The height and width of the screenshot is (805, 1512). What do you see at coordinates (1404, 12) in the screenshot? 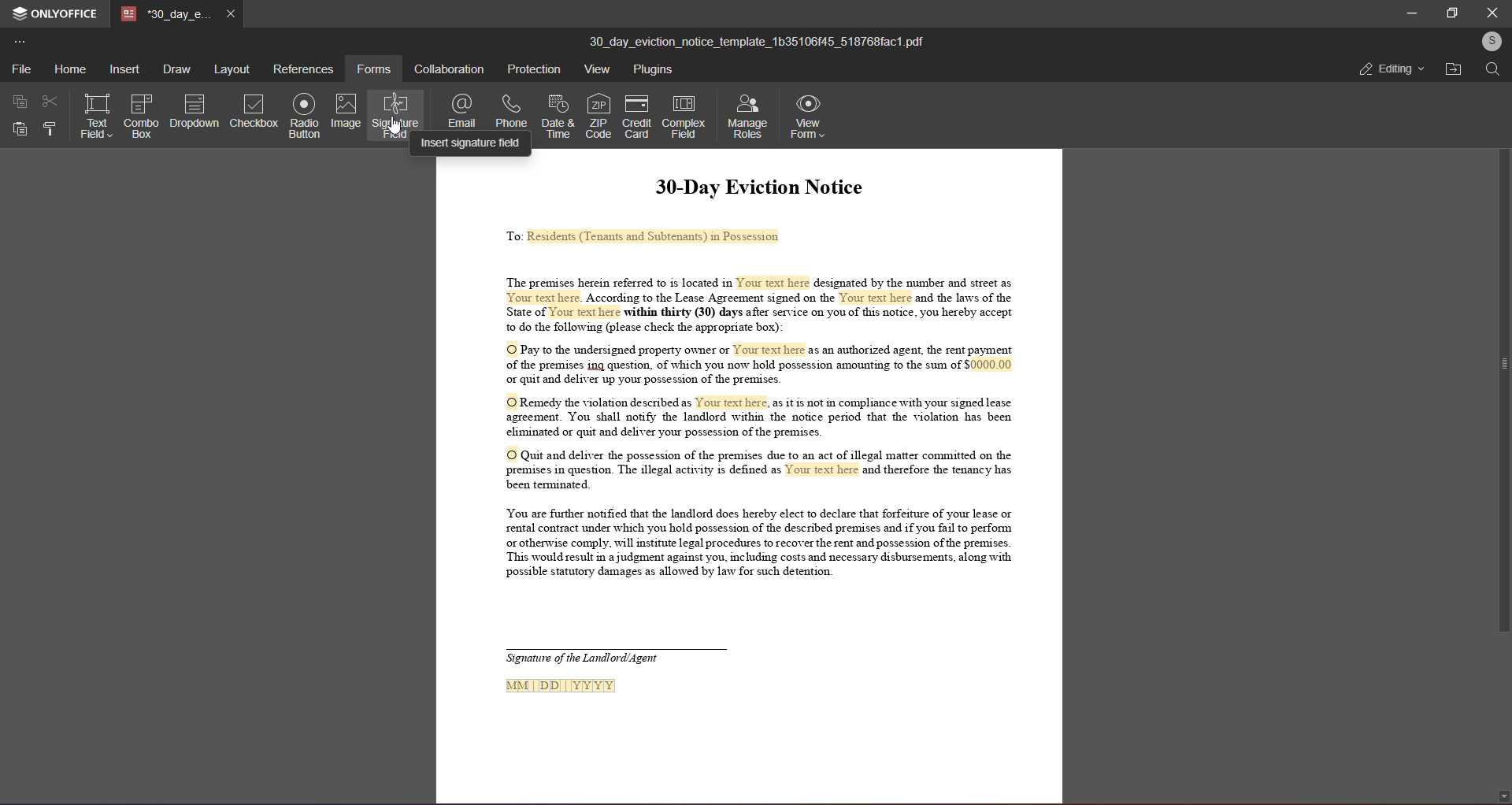
I see `minimize` at bounding box center [1404, 12].